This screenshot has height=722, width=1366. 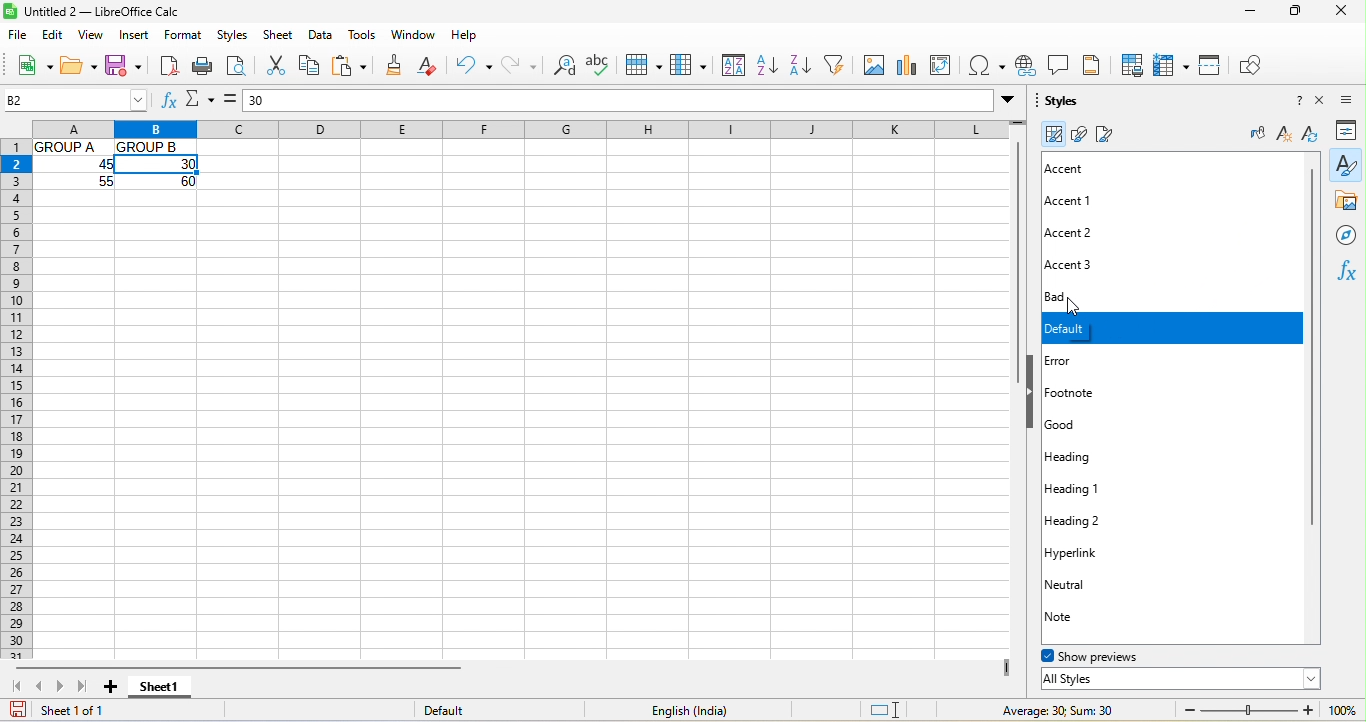 I want to click on Group A, so click(x=70, y=147).